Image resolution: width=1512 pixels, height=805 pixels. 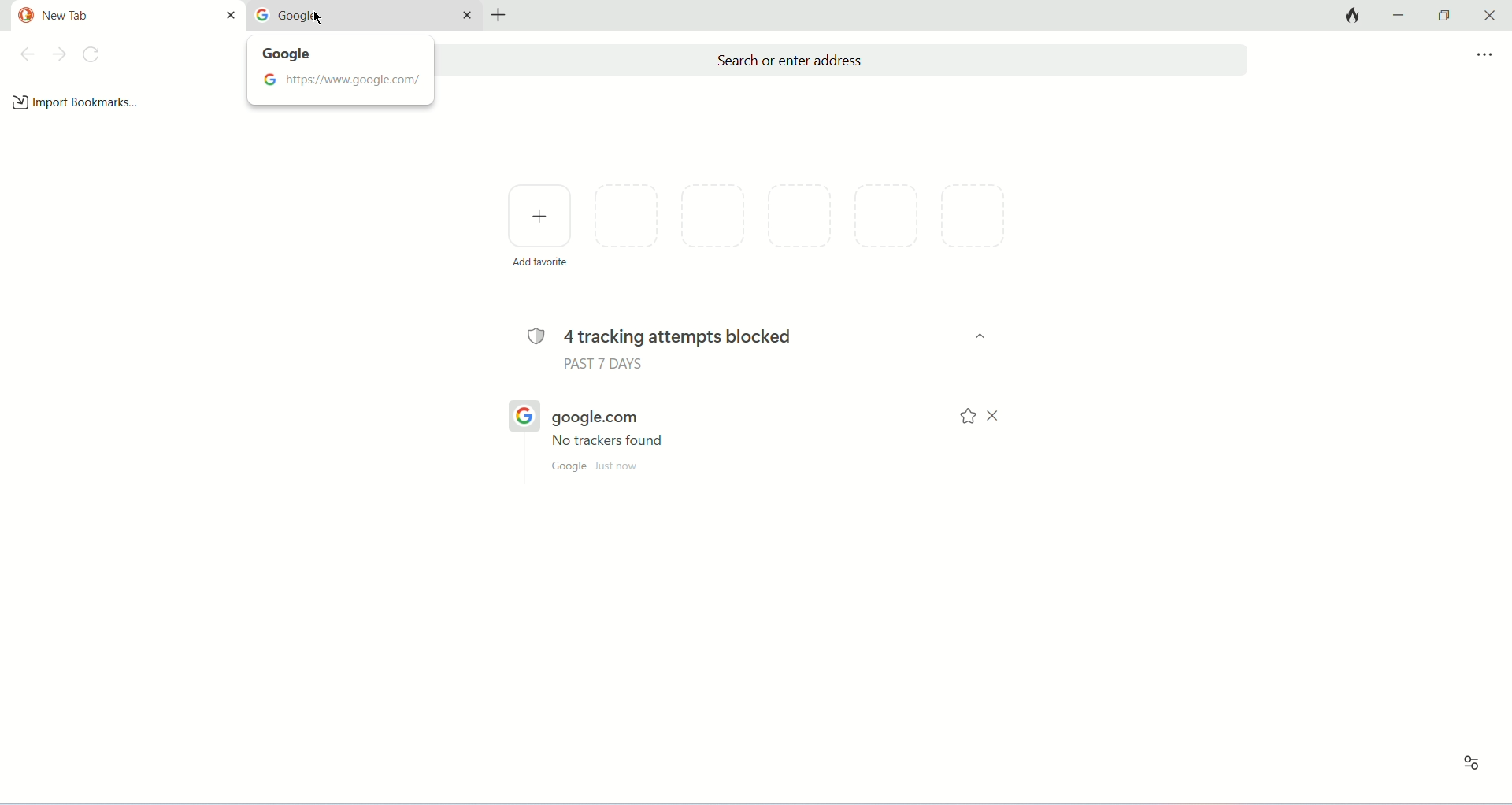 What do you see at coordinates (28, 54) in the screenshot?
I see `back` at bounding box center [28, 54].